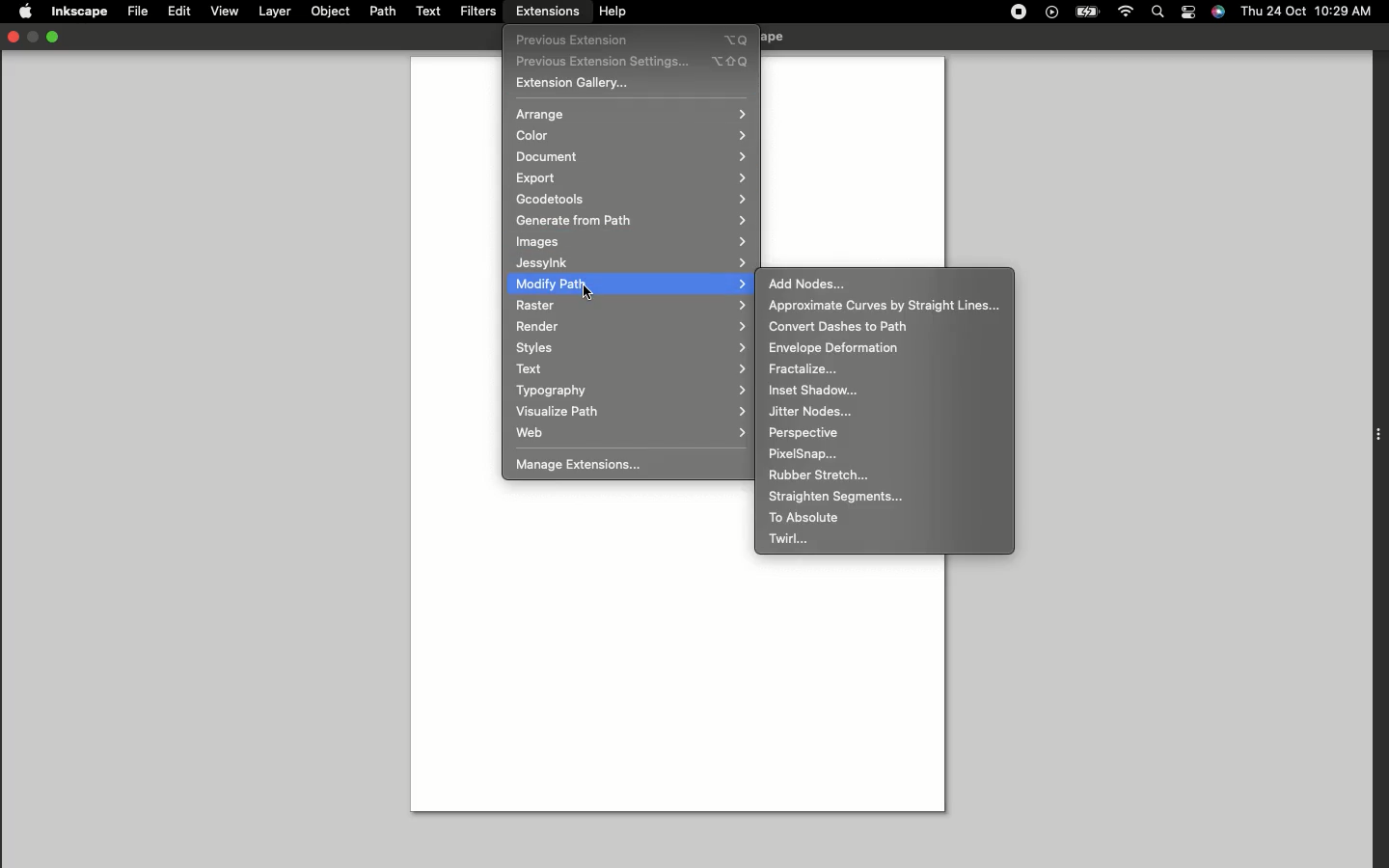 The width and height of the screenshot is (1389, 868). What do you see at coordinates (1218, 12) in the screenshot?
I see `Voice control` at bounding box center [1218, 12].